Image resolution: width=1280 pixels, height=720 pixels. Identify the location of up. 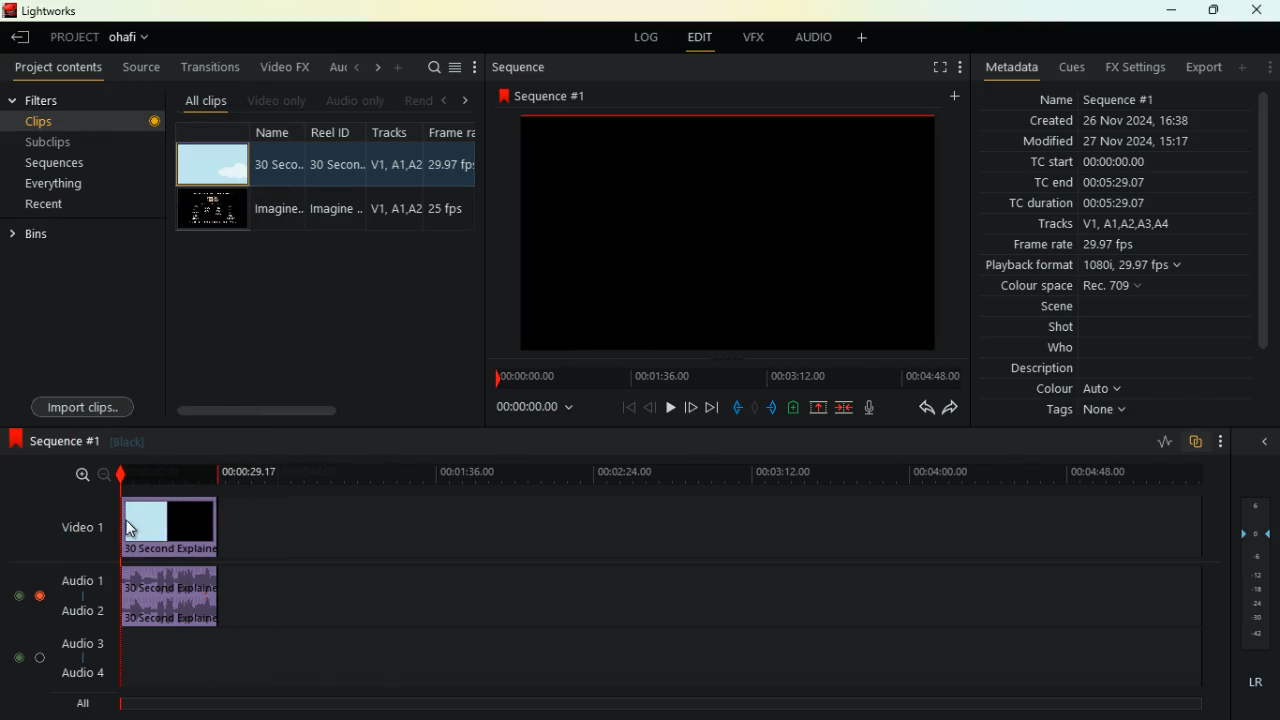
(818, 408).